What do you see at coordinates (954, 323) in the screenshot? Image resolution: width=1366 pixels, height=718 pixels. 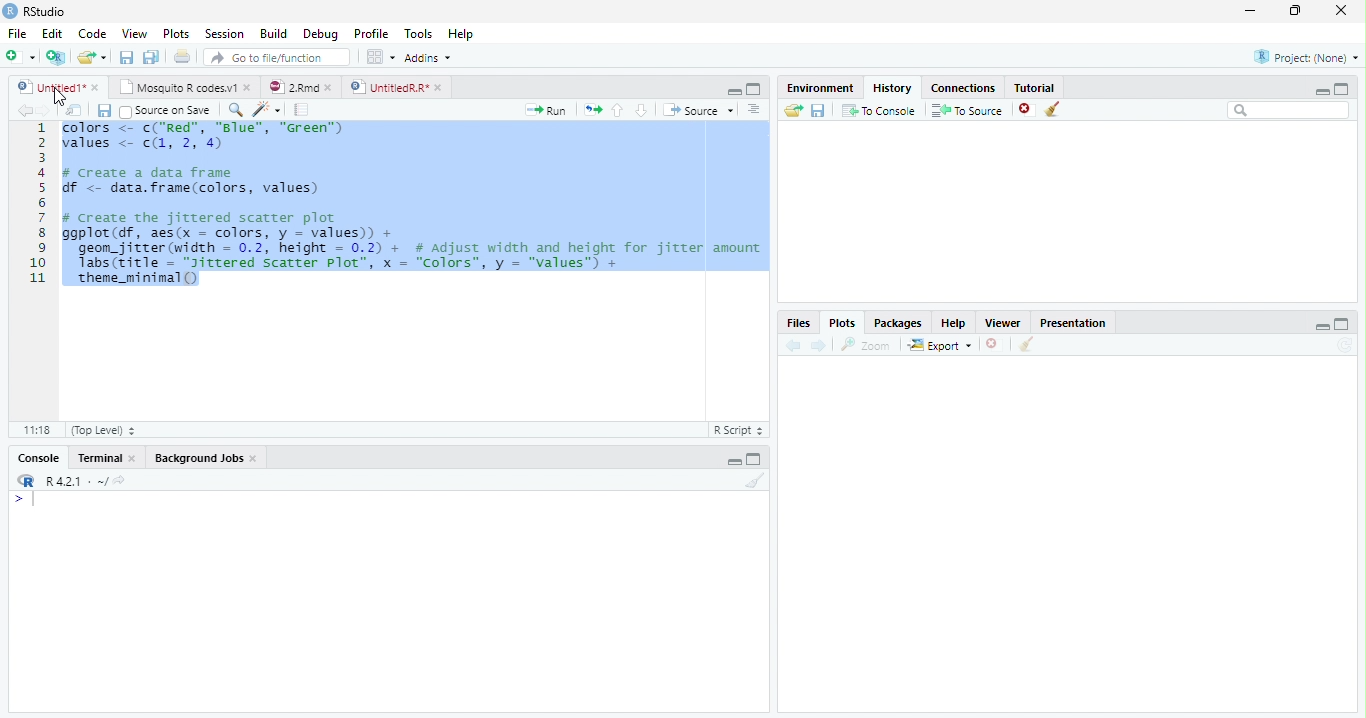 I see `Help` at bounding box center [954, 323].